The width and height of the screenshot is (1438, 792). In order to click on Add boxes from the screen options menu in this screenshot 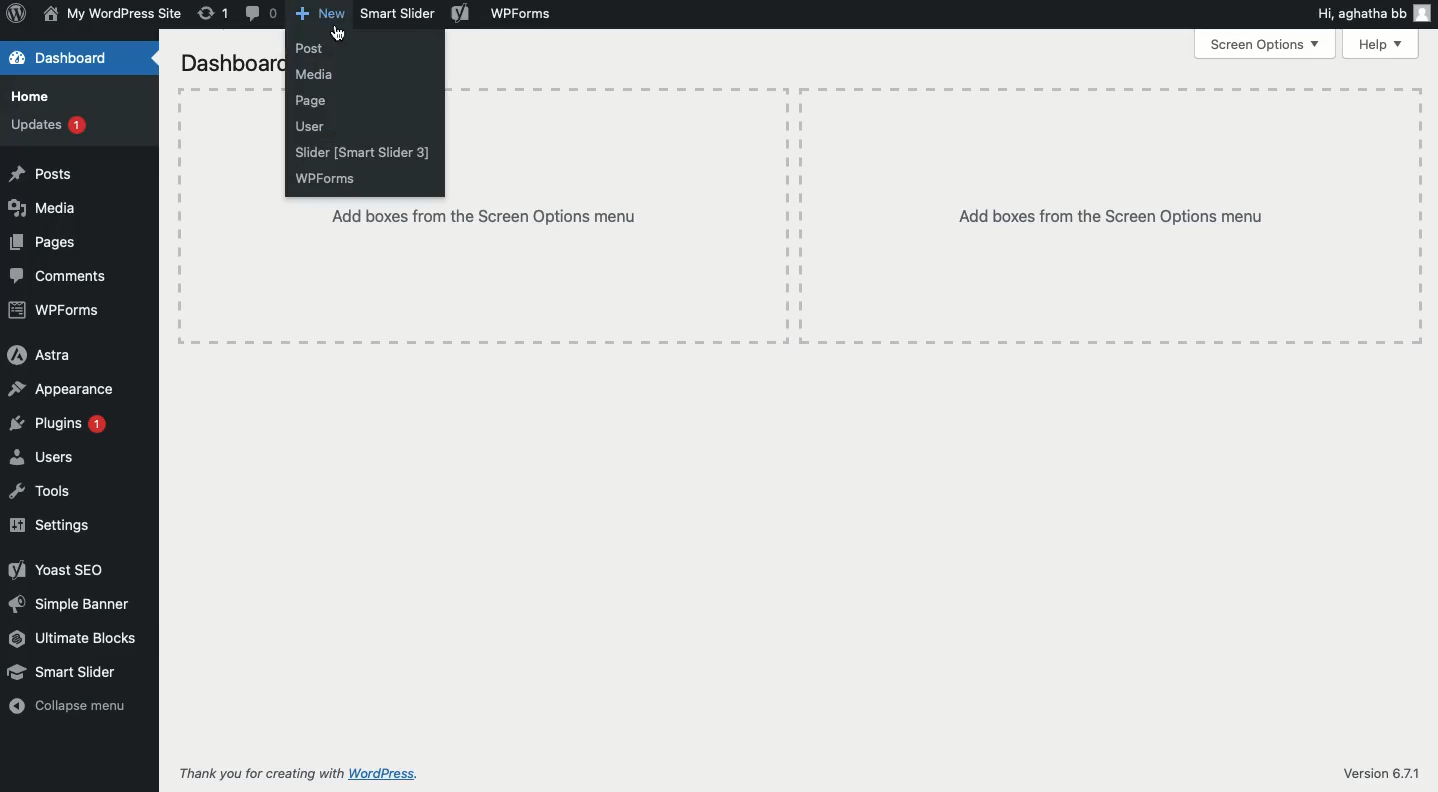, I will do `click(1114, 216)`.